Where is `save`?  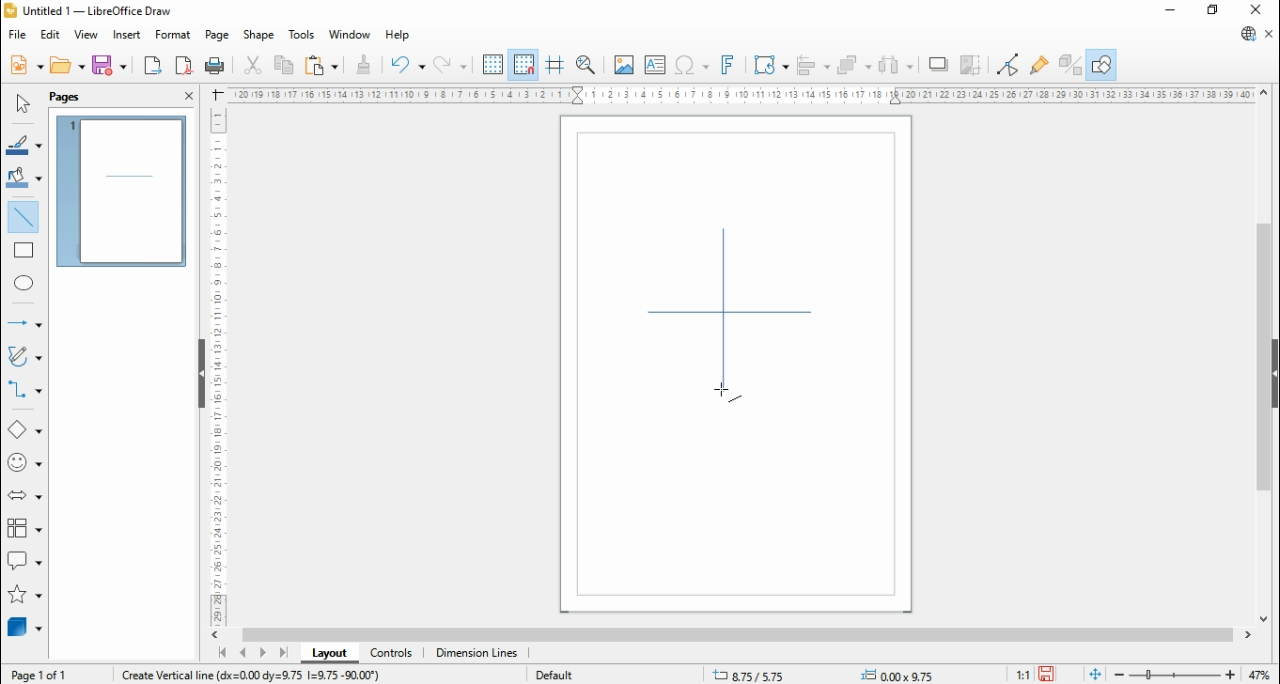 save is located at coordinates (1047, 674).